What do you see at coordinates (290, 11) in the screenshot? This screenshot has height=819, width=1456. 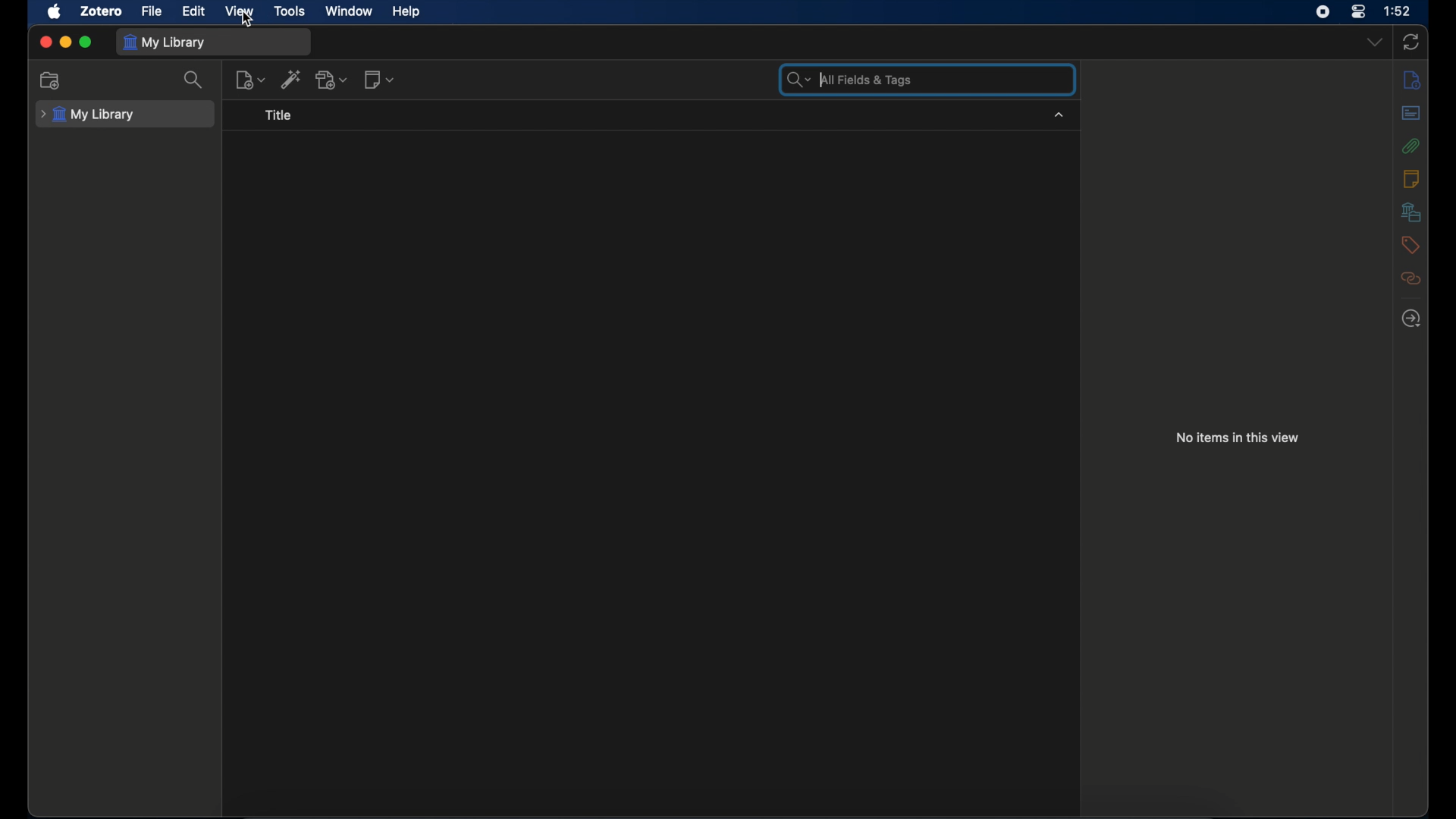 I see `tools` at bounding box center [290, 11].